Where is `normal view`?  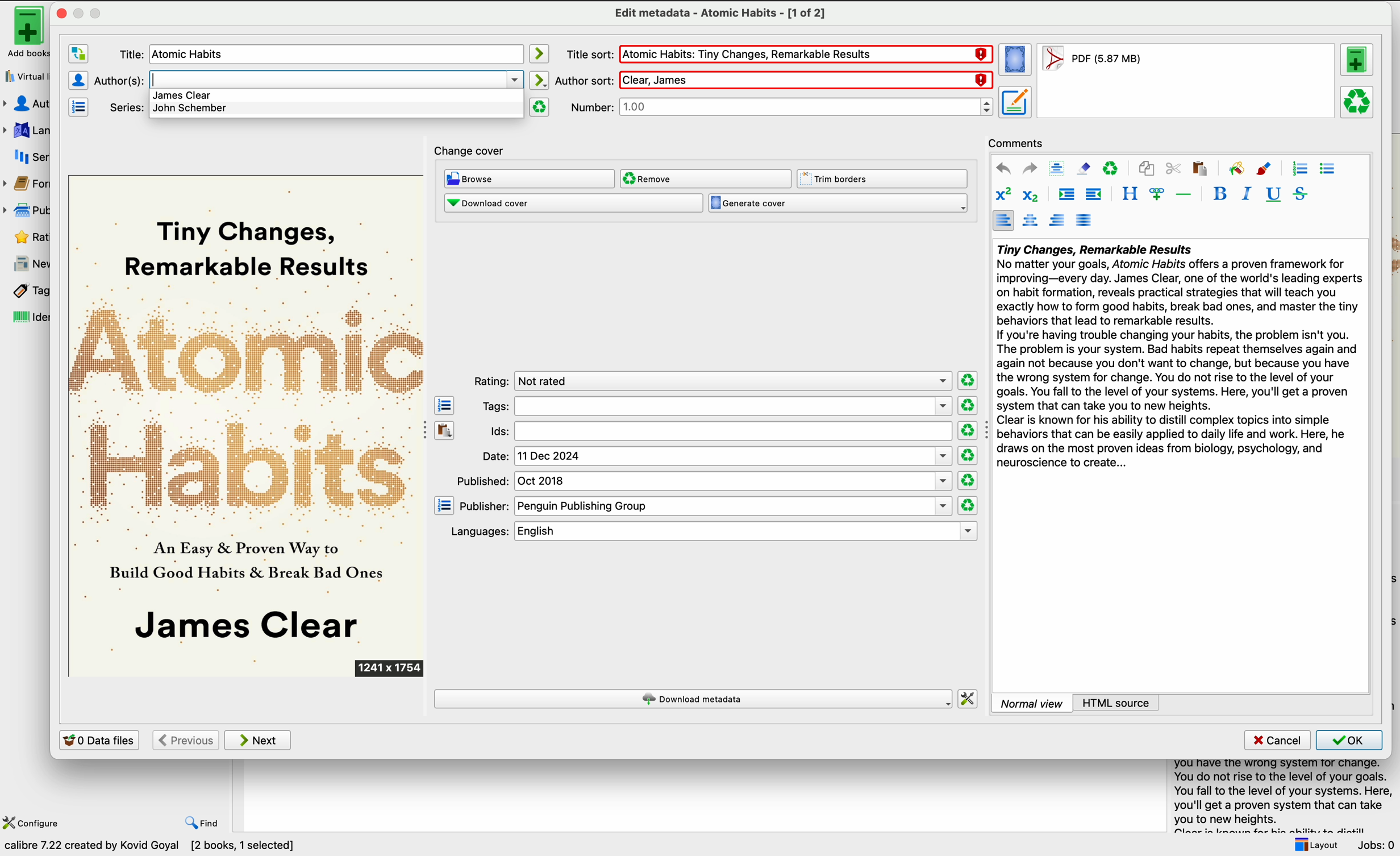
normal view is located at coordinates (1032, 703).